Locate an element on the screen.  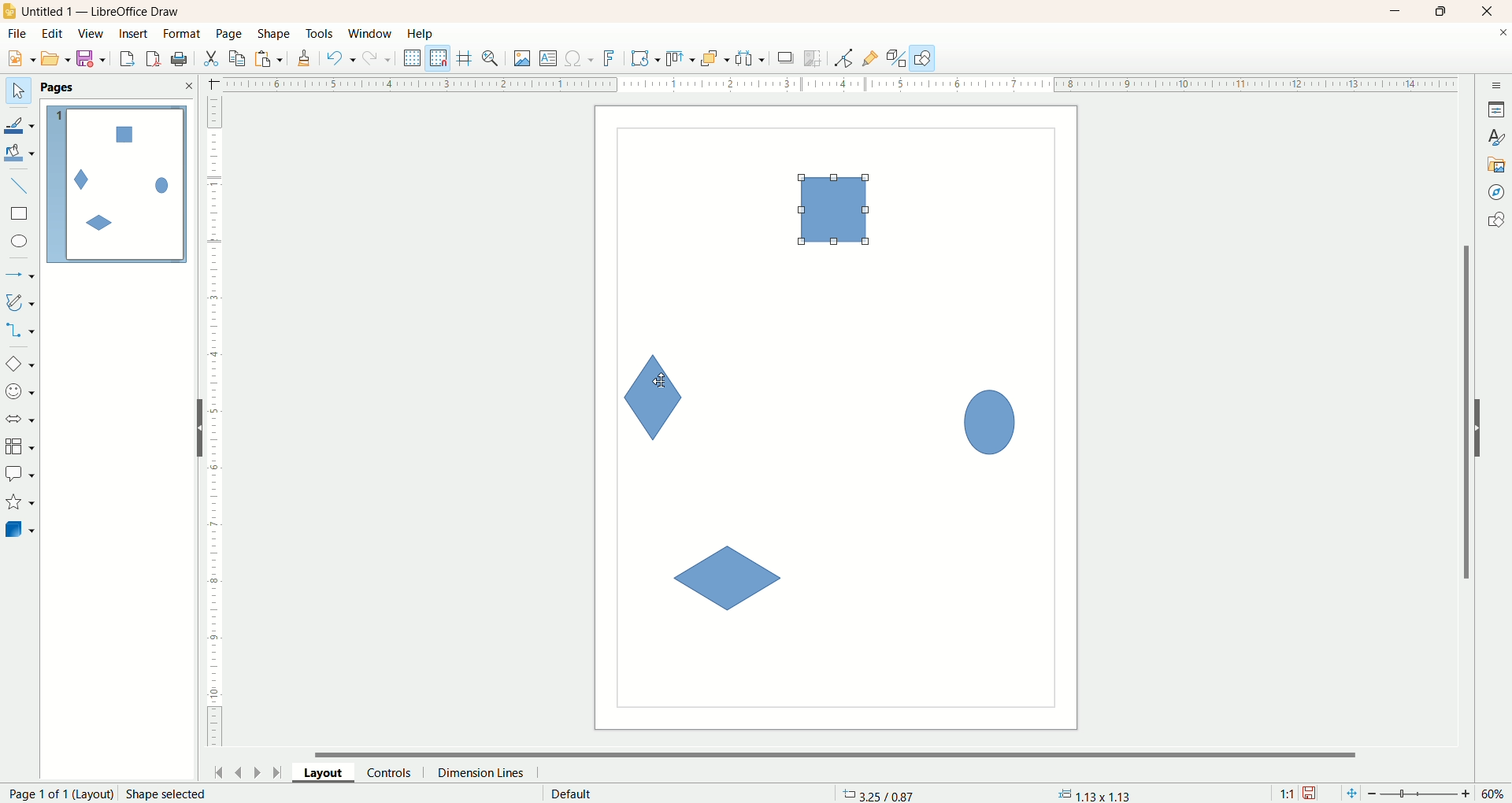
ellipse is located at coordinates (21, 243).